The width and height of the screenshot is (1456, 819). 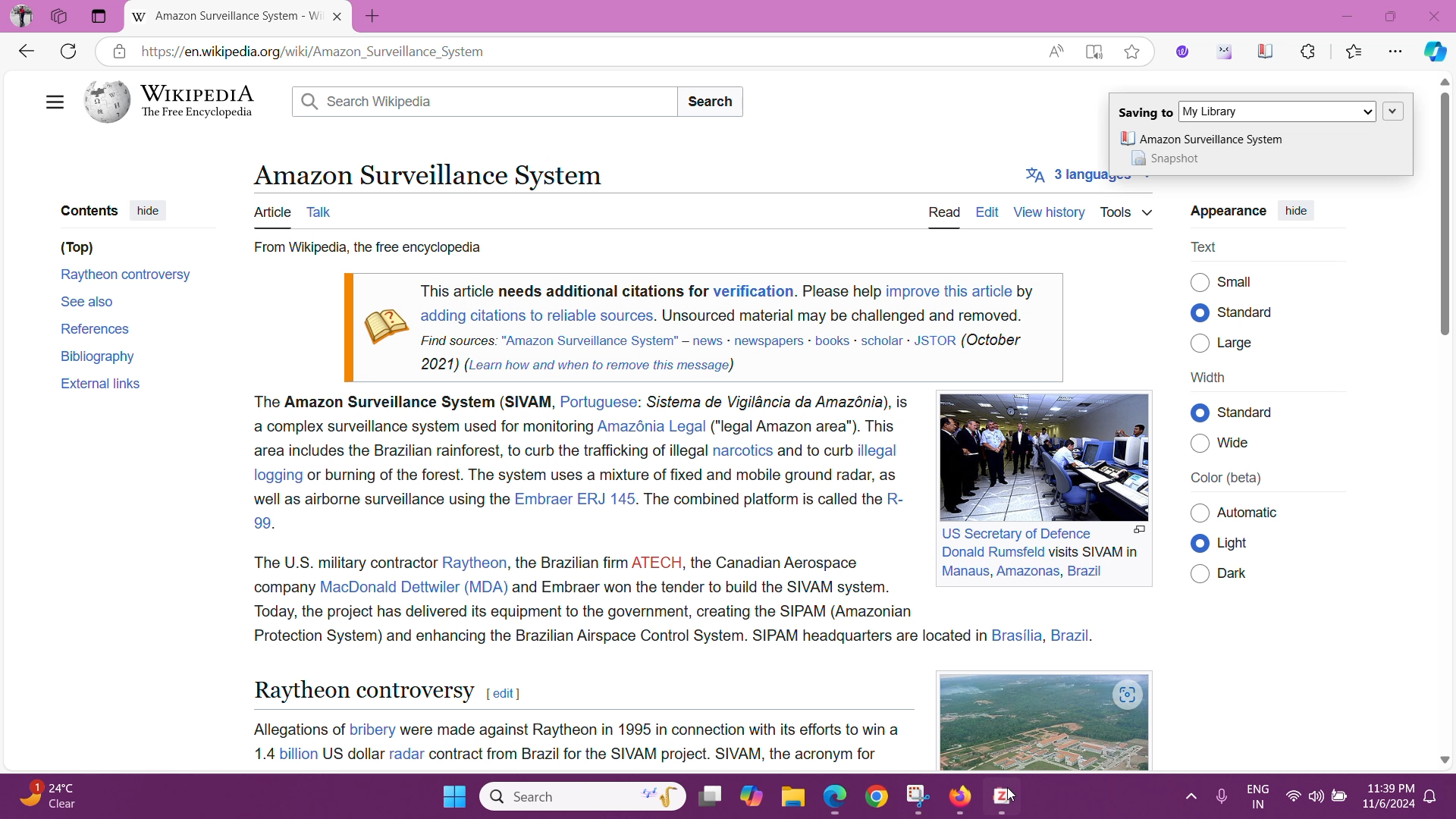 I want to click on profile, so click(x=22, y=16).